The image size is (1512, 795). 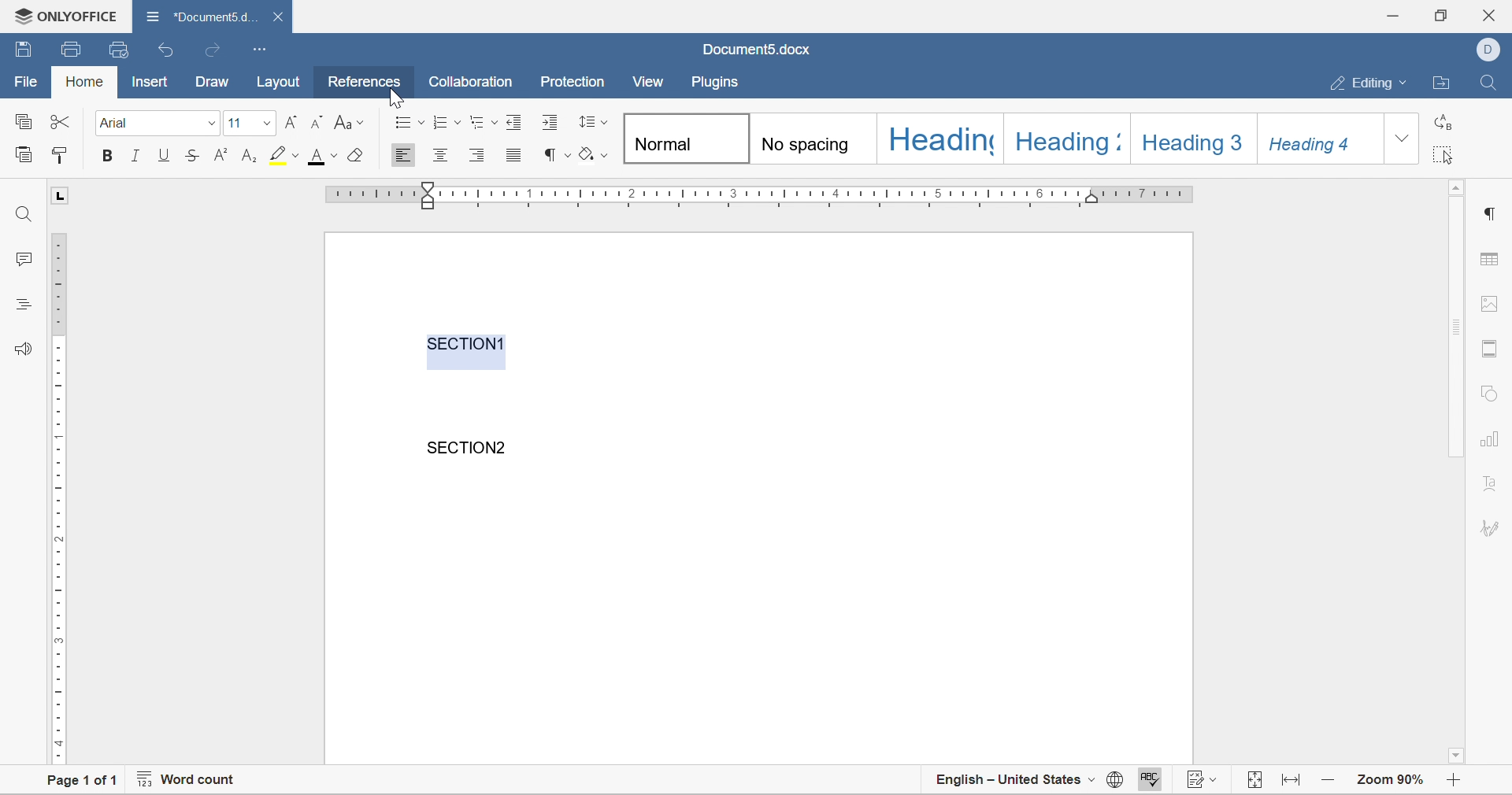 I want to click on document5.docx, so click(x=755, y=50).